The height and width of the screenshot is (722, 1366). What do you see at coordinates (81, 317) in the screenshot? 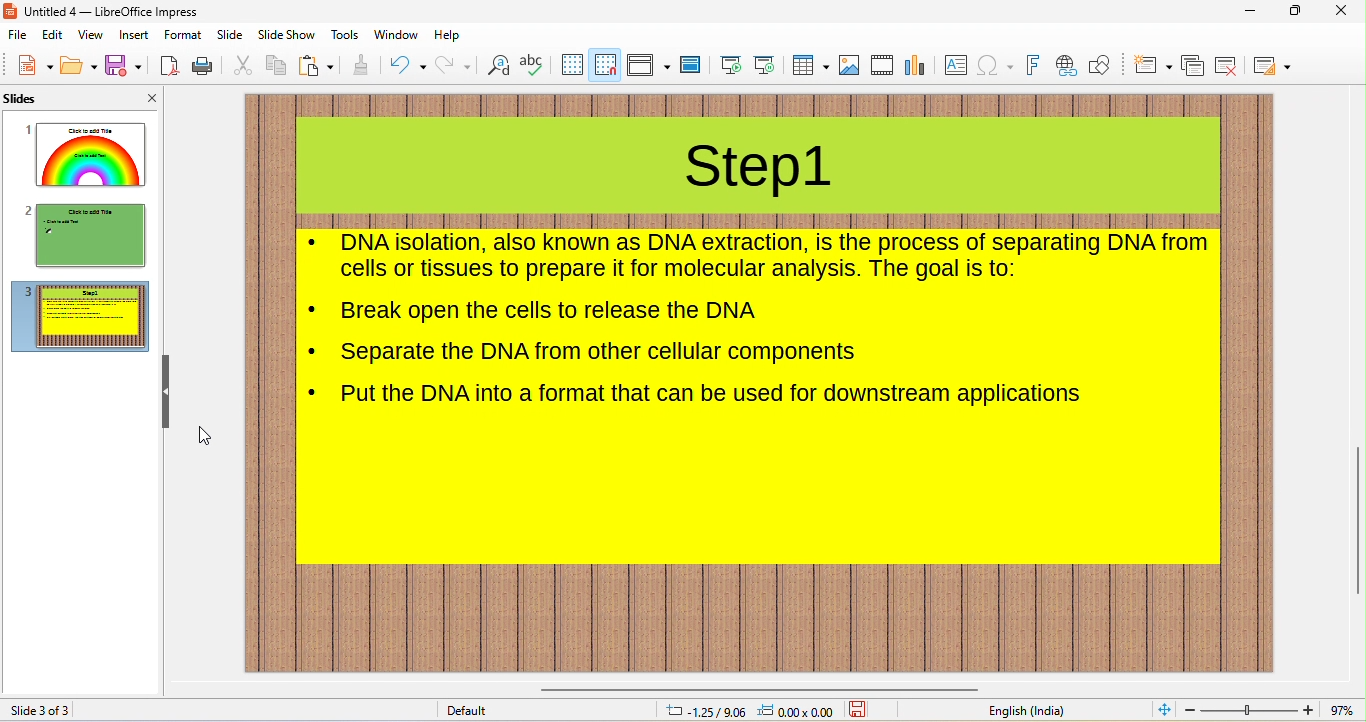
I see `slide3` at bounding box center [81, 317].